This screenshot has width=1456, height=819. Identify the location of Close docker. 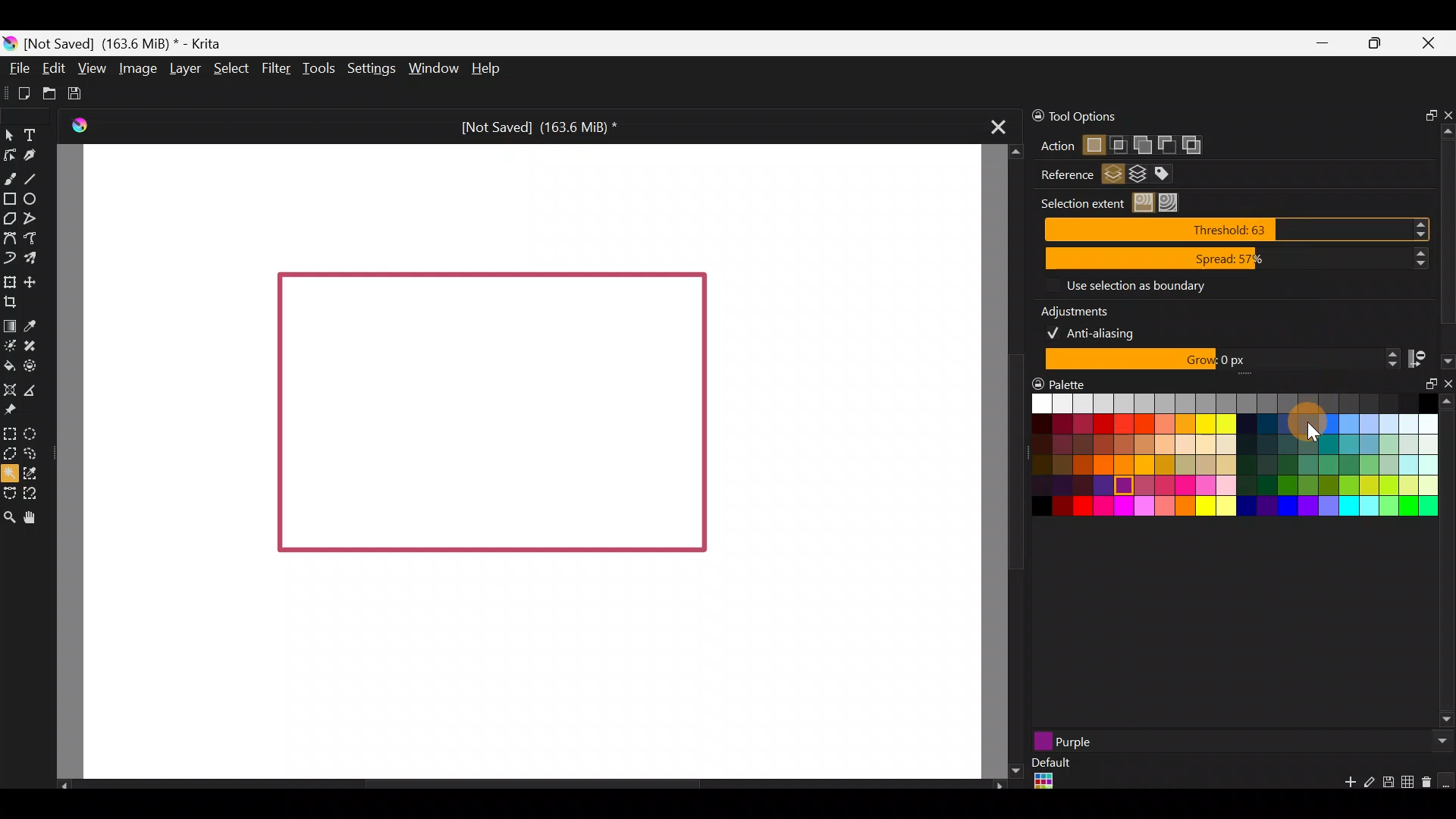
(1446, 387).